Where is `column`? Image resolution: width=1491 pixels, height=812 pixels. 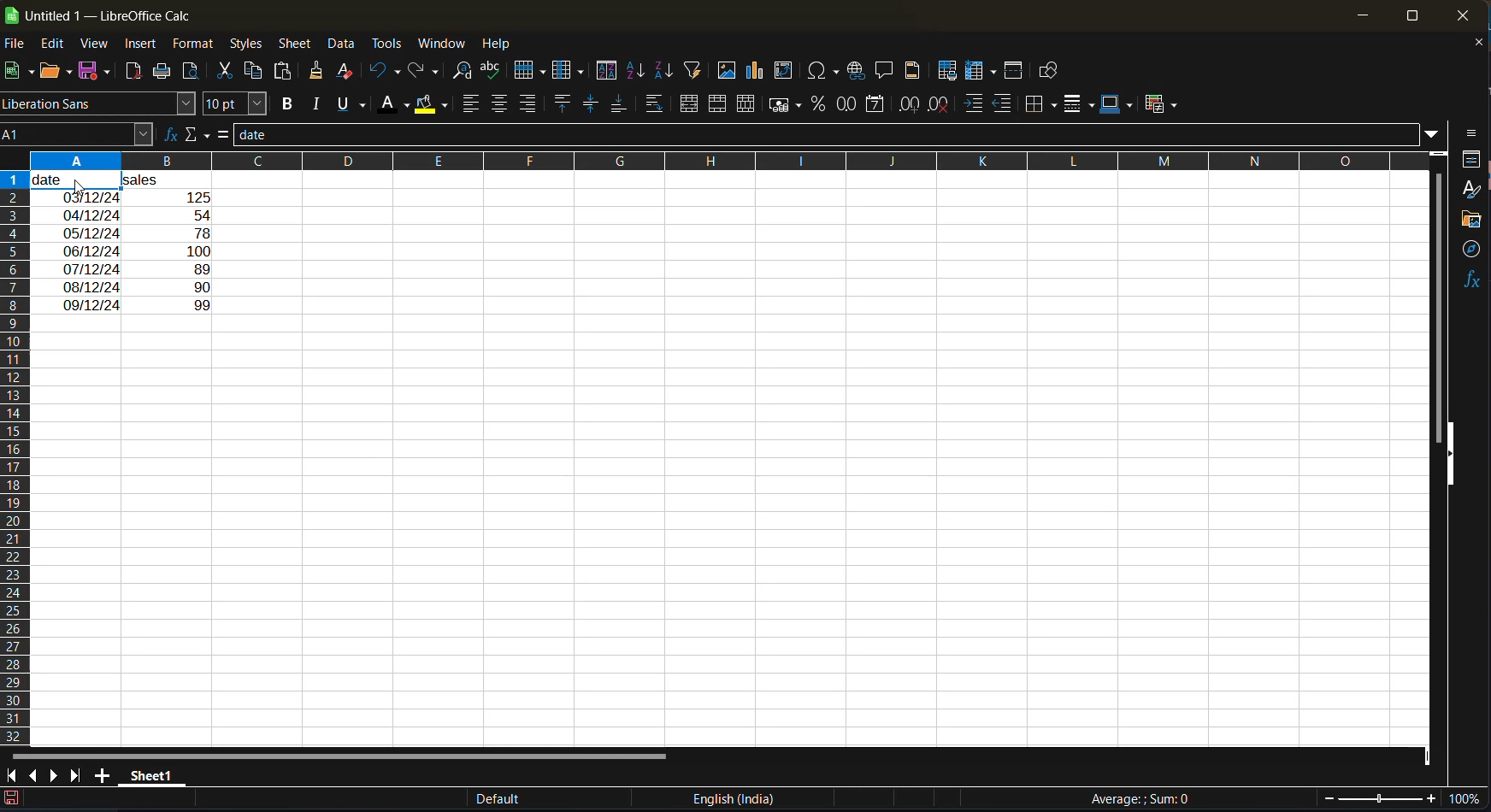 column is located at coordinates (572, 72).